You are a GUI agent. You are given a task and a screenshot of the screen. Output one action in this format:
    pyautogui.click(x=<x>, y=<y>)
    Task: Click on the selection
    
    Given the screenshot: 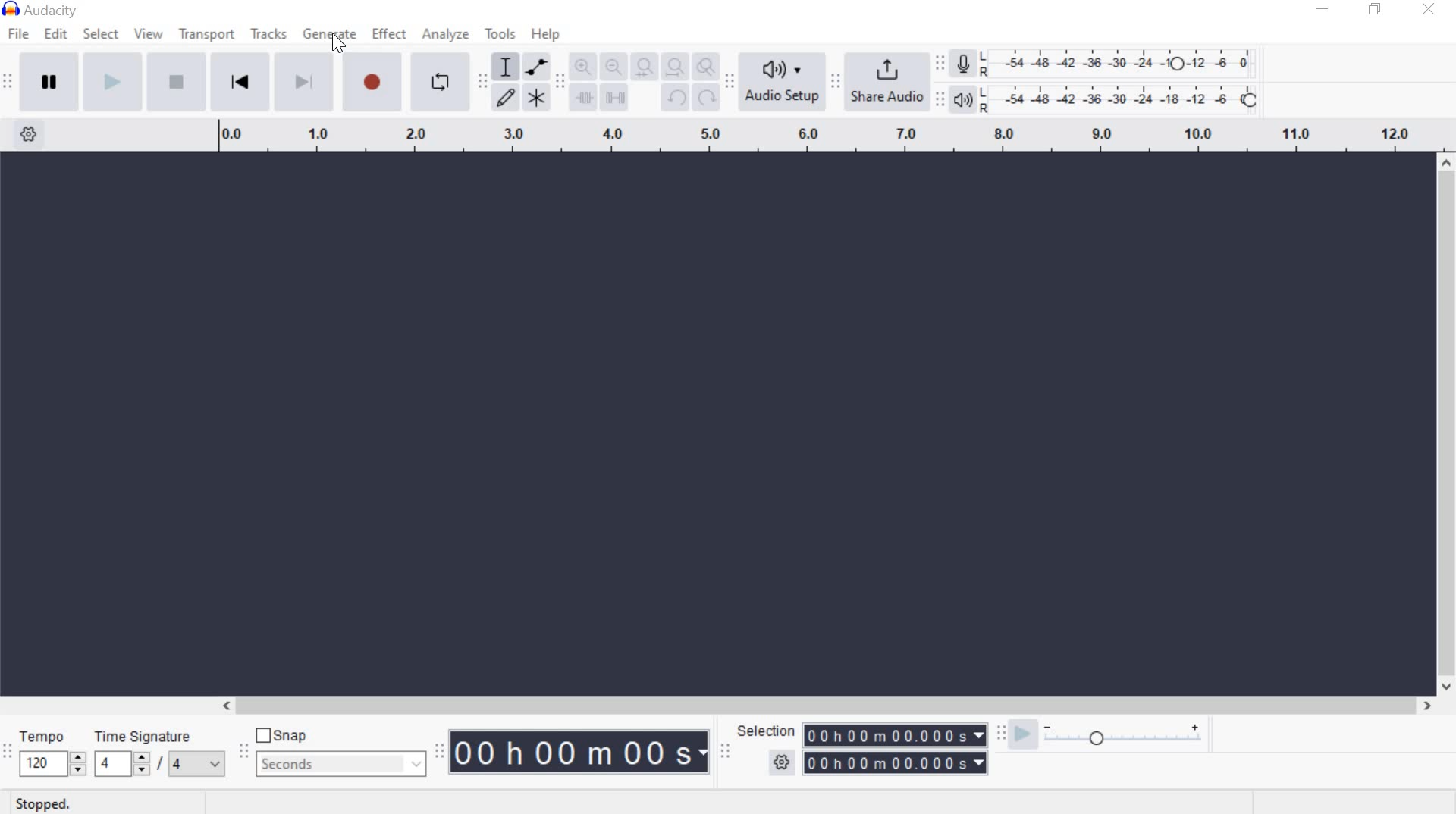 What is the action you would take?
    pyautogui.click(x=764, y=731)
    